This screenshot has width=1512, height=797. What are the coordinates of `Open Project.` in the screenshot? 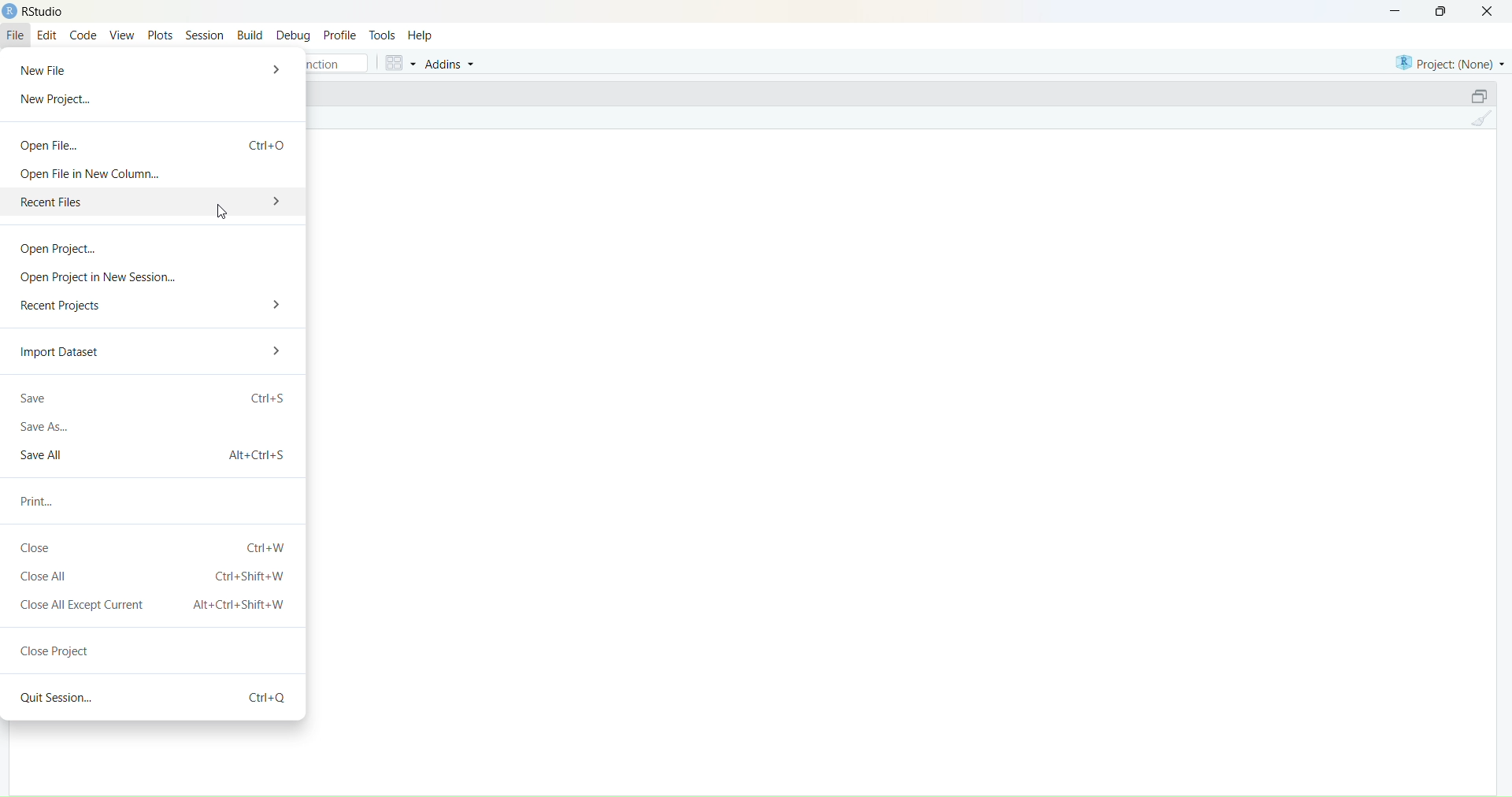 It's located at (66, 246).